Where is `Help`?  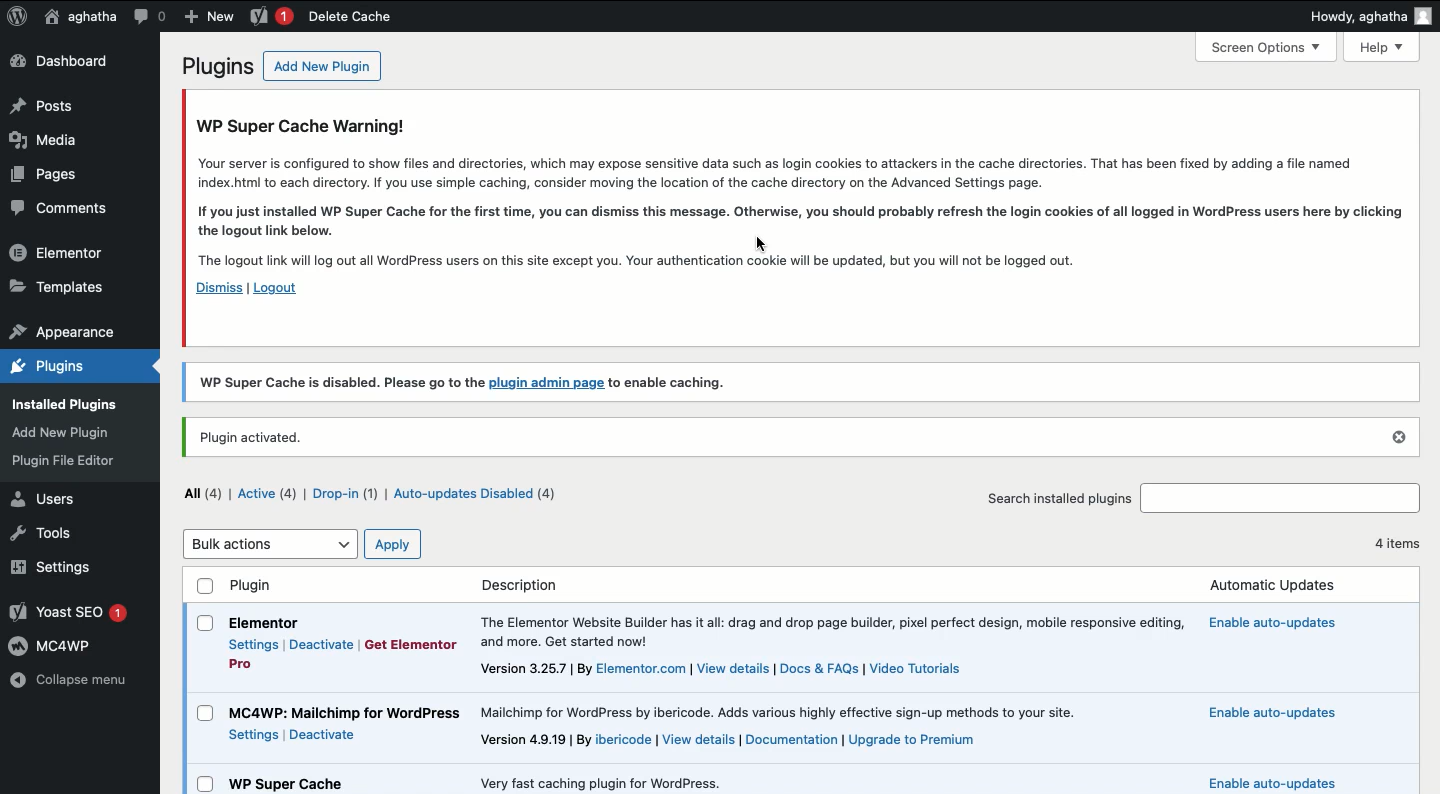 Help is located at coordinates (1383, 48).